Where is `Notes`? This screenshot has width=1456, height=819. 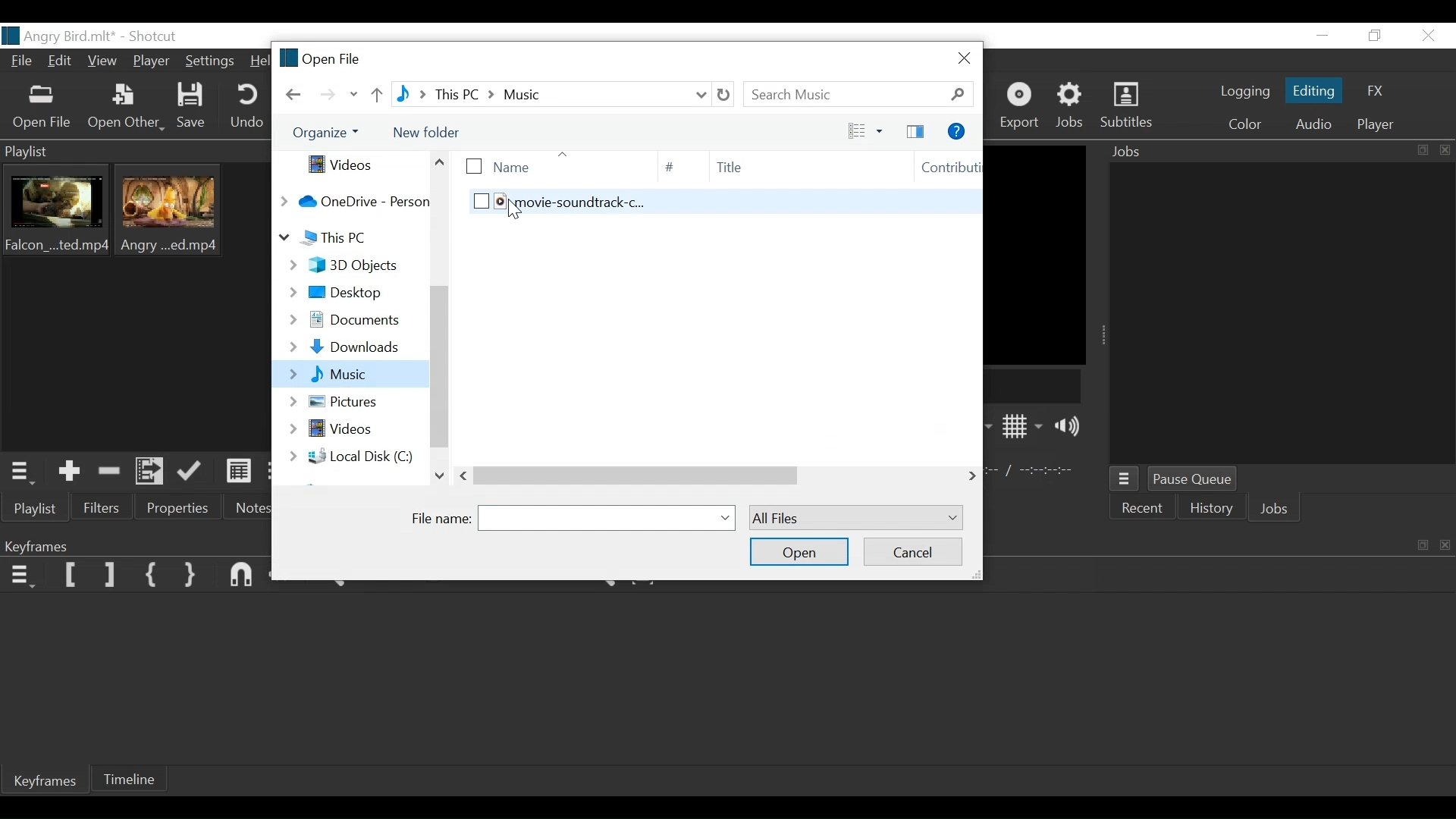
Notes is located at coordinates (251, 509).